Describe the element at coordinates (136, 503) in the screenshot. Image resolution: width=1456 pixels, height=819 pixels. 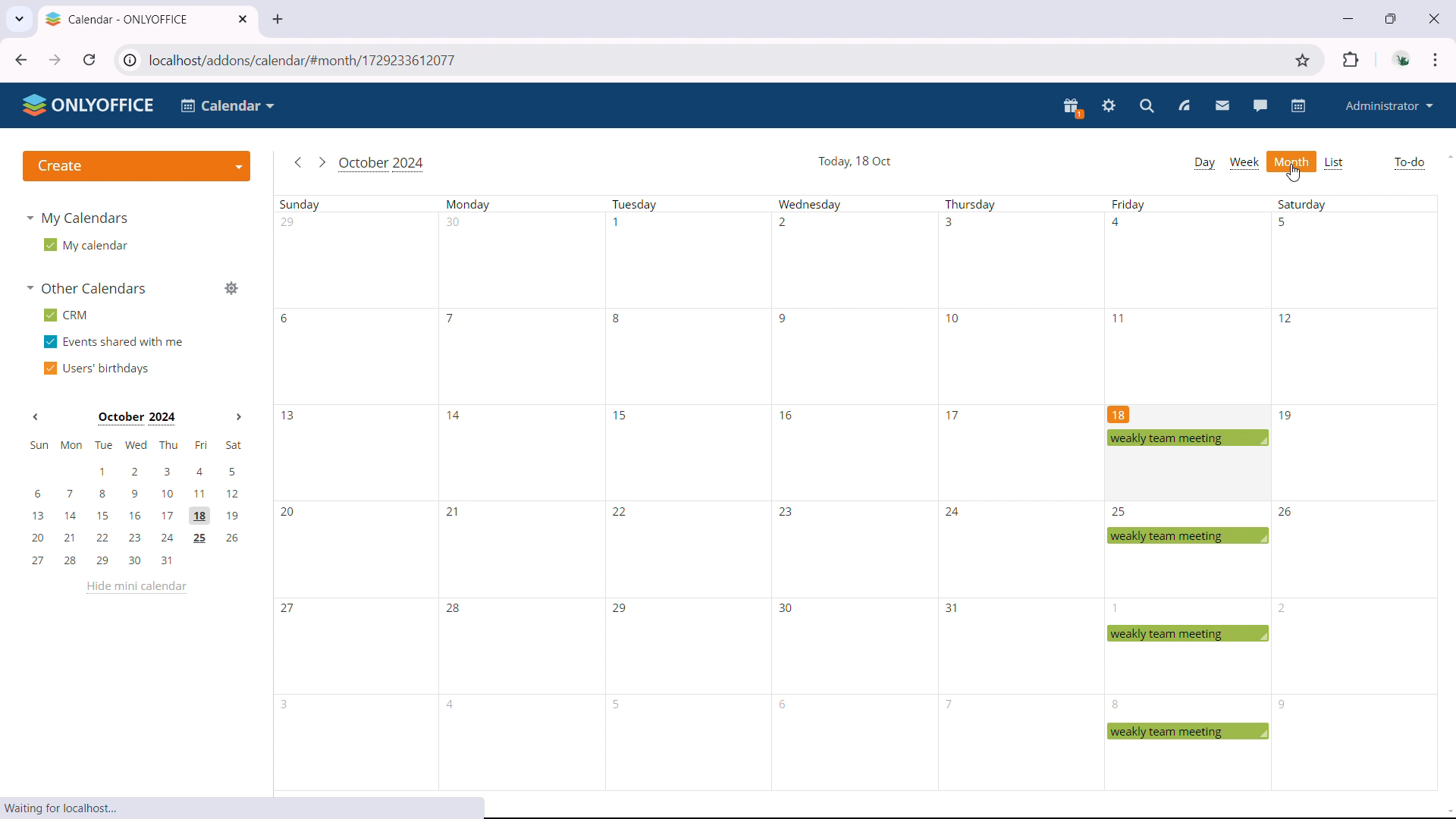
I see `mini calendar` at that location.